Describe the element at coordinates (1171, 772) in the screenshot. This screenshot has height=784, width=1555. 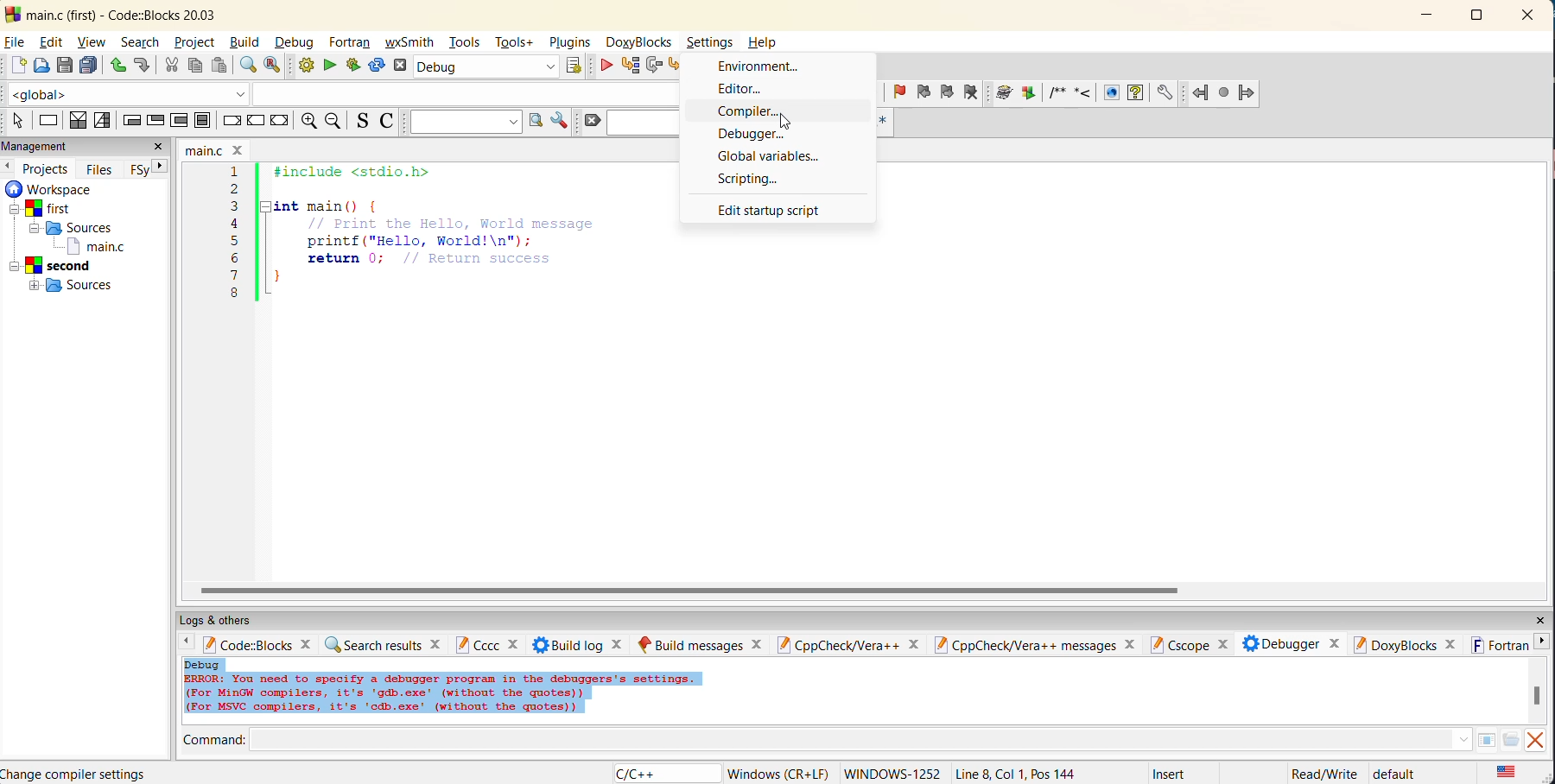
I see `Insert` at that location.